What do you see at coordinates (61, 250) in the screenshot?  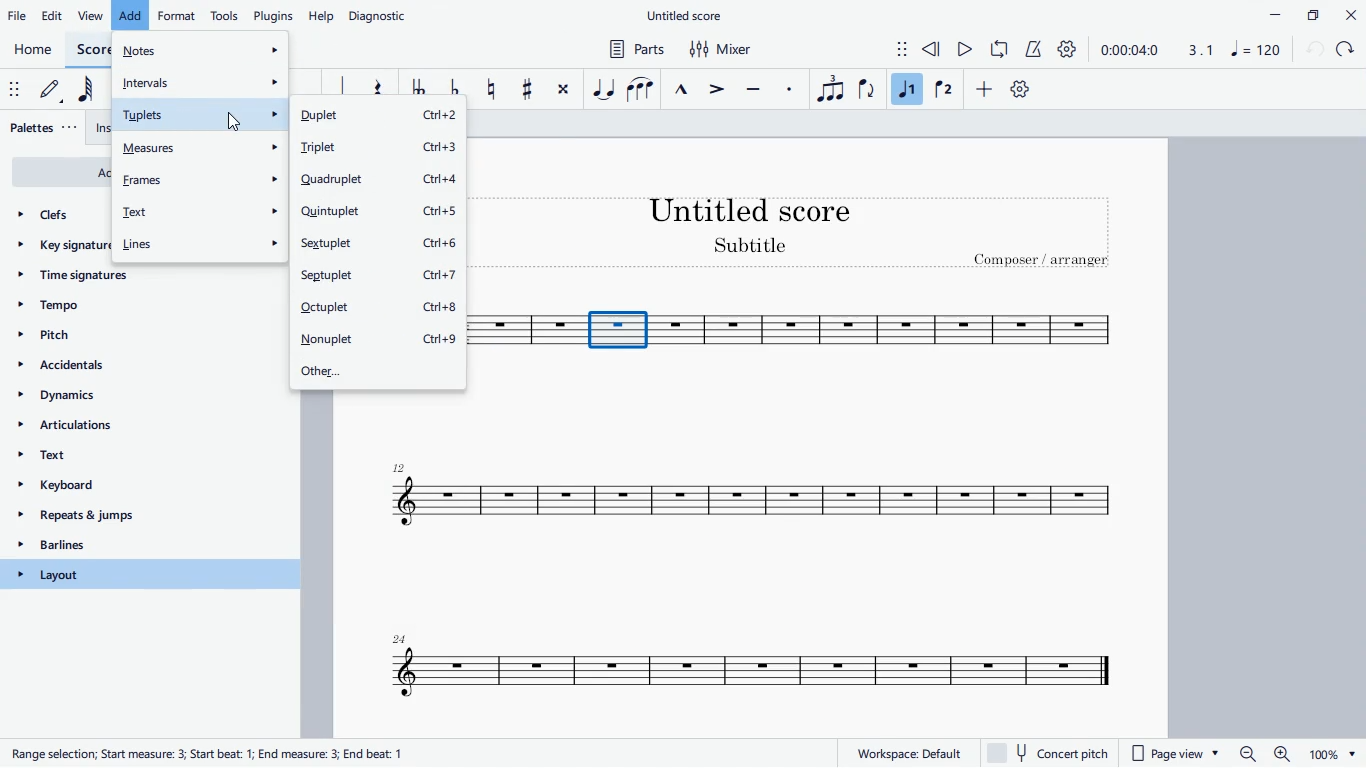 I see `key signatures` at bounding box center [61, 250].